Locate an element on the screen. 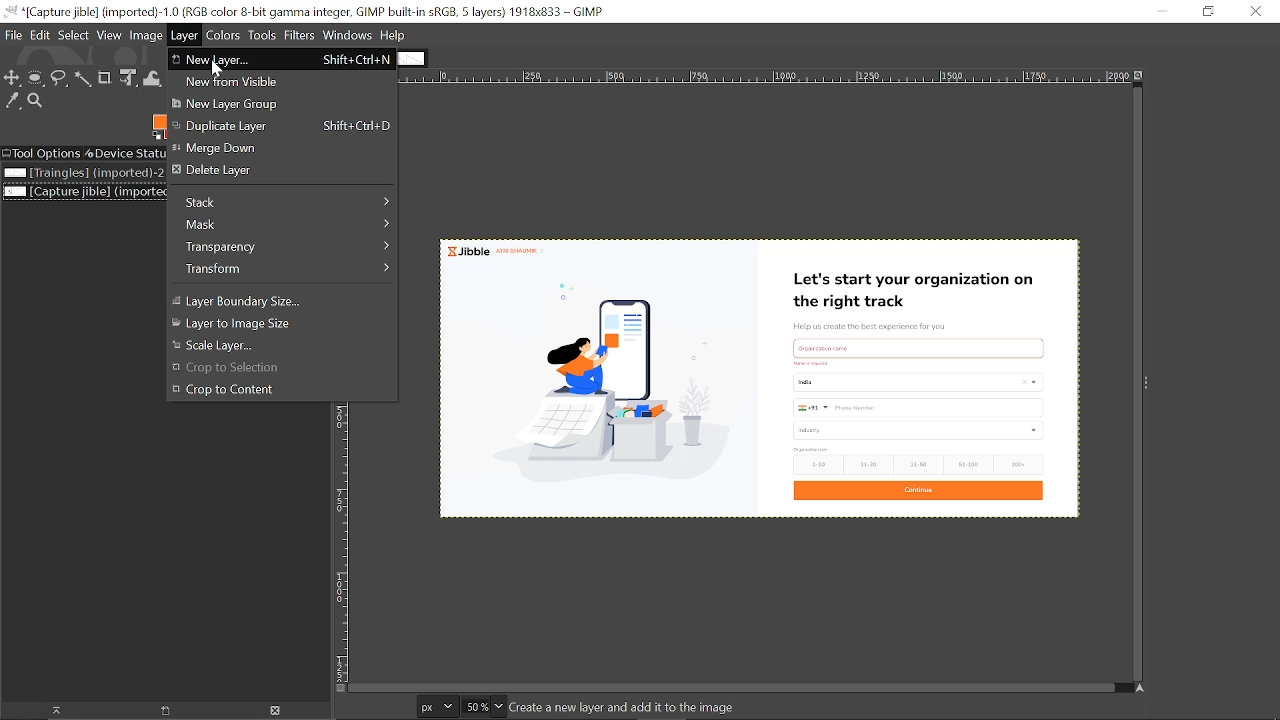  Filters is located at coordinates (302, 36).